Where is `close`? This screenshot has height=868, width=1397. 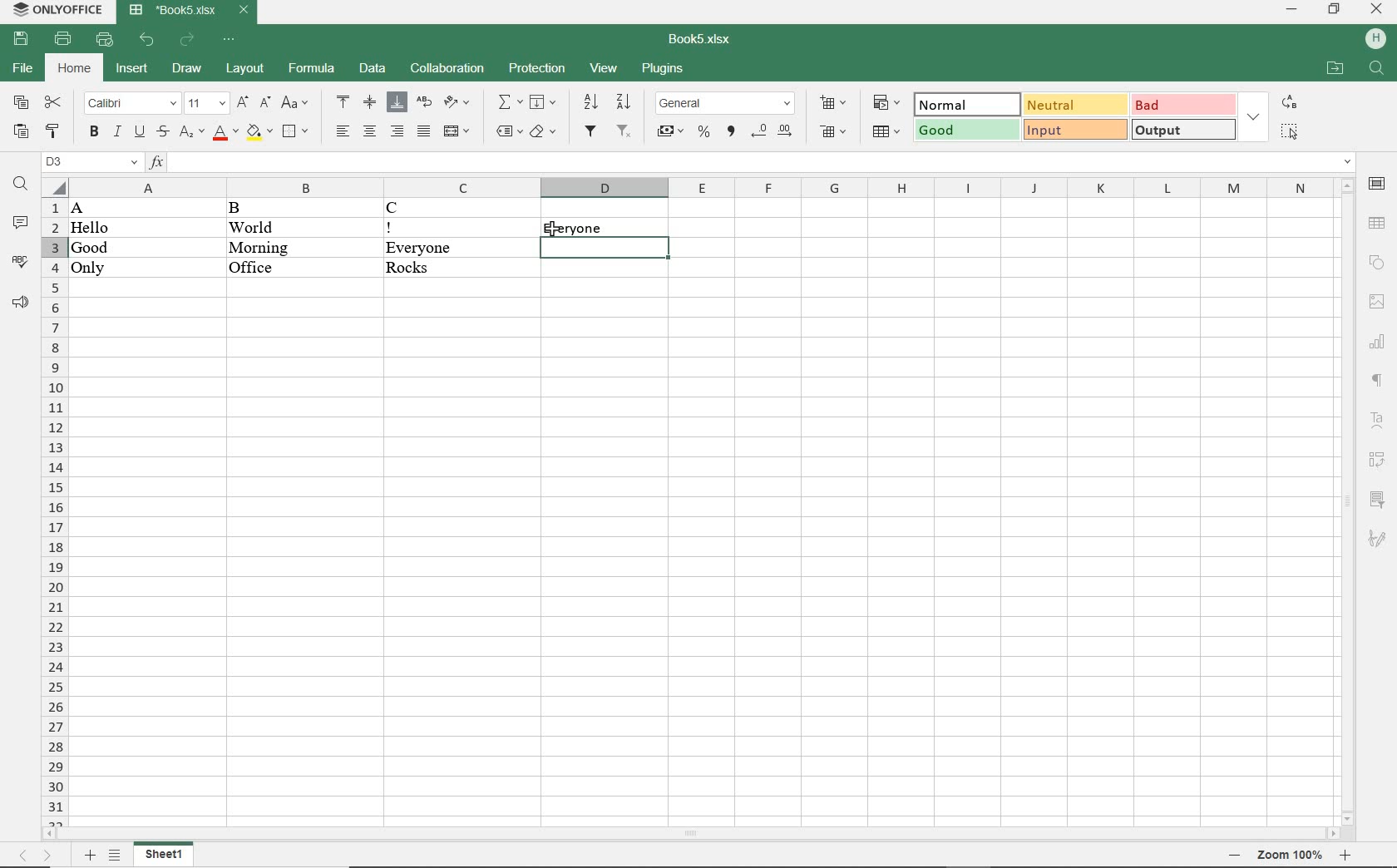 close is located at coordinates (1375, 11).